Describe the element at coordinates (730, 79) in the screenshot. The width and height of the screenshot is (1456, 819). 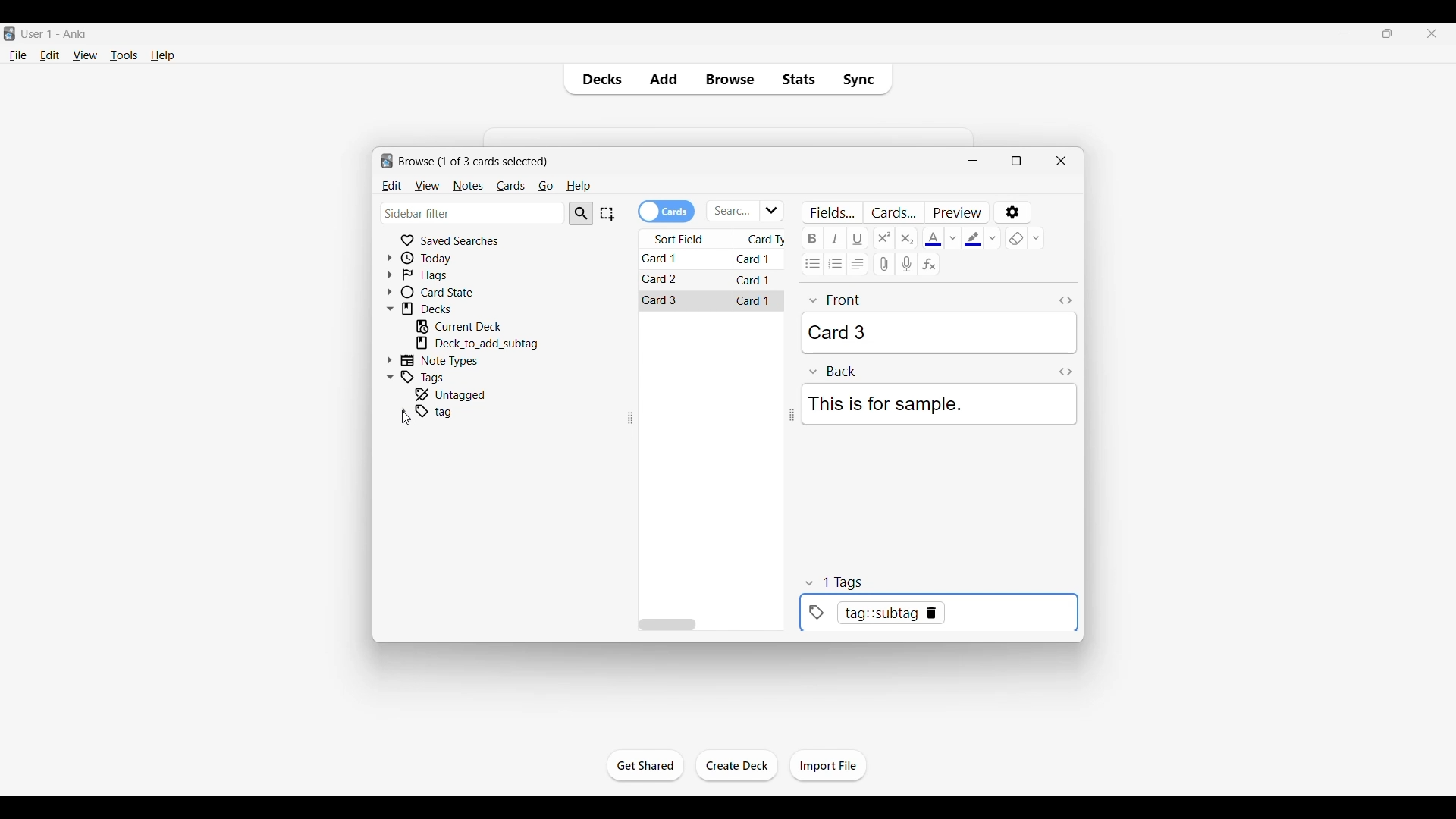
I see `Browse` at that location.